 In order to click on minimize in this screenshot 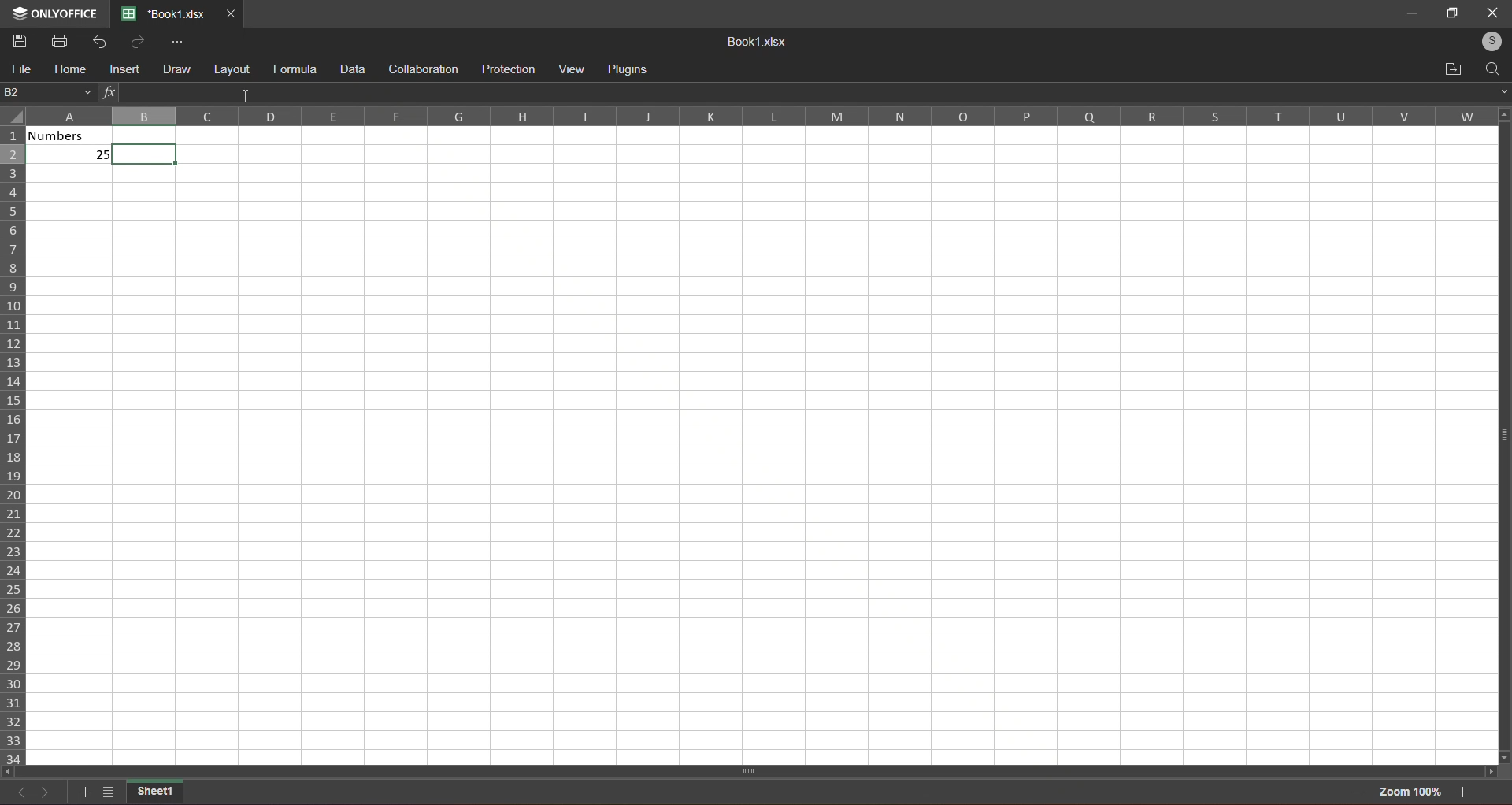, I will do `click(1413, 14)`.